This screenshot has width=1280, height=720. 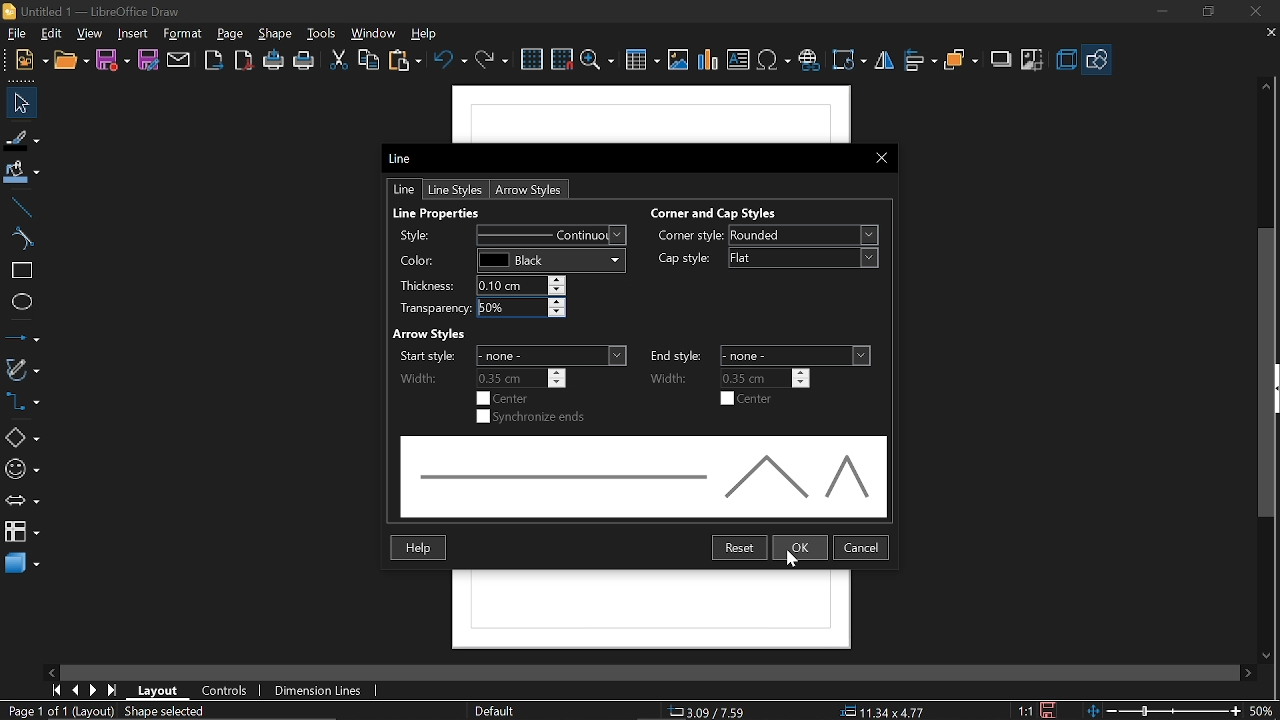 What do you see at coordinates (274, 33) in the screenshot?
I see `shape` at bounding box center [274, 33].